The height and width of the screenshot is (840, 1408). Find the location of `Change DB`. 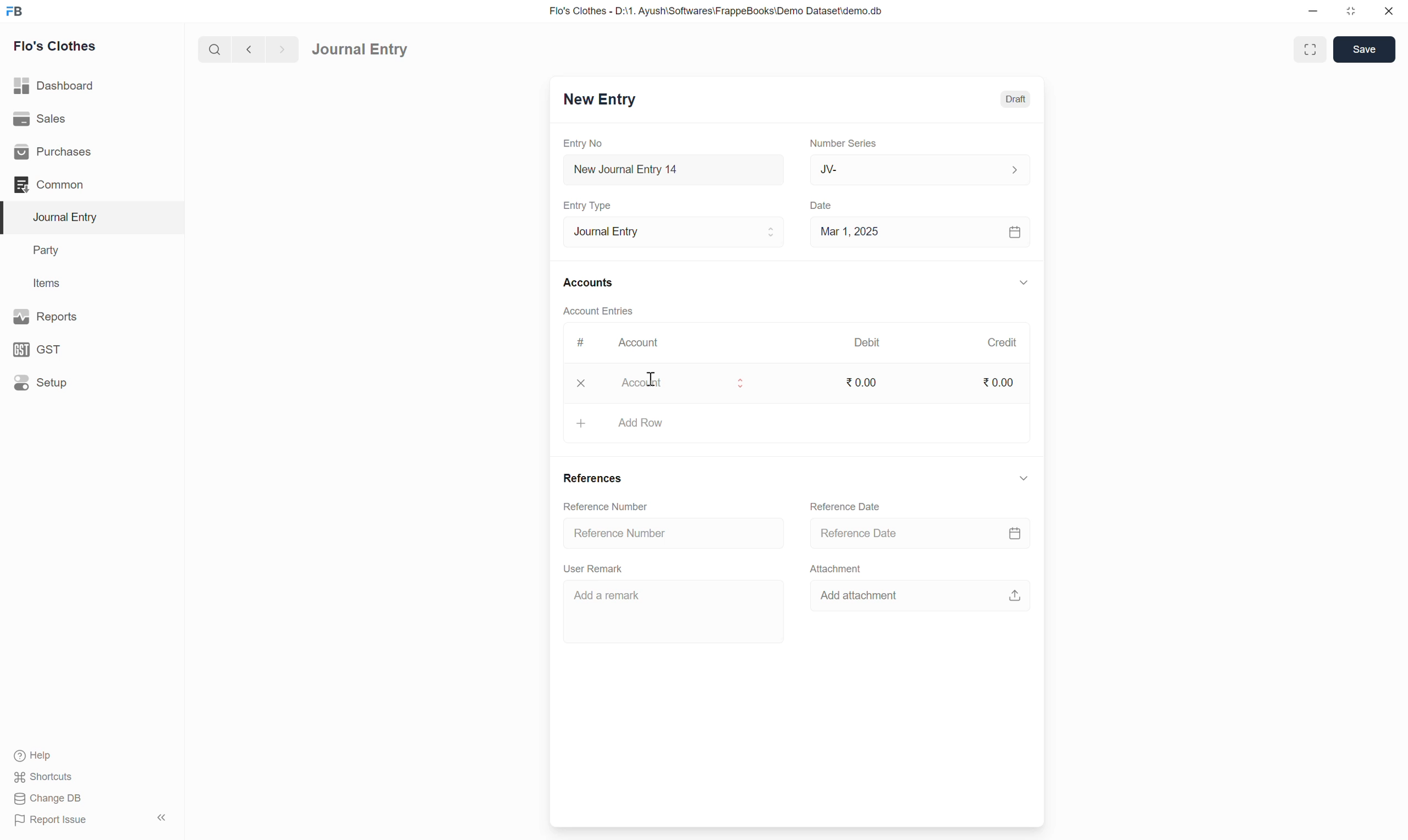

Change DB is located at coordinates (48, 798).